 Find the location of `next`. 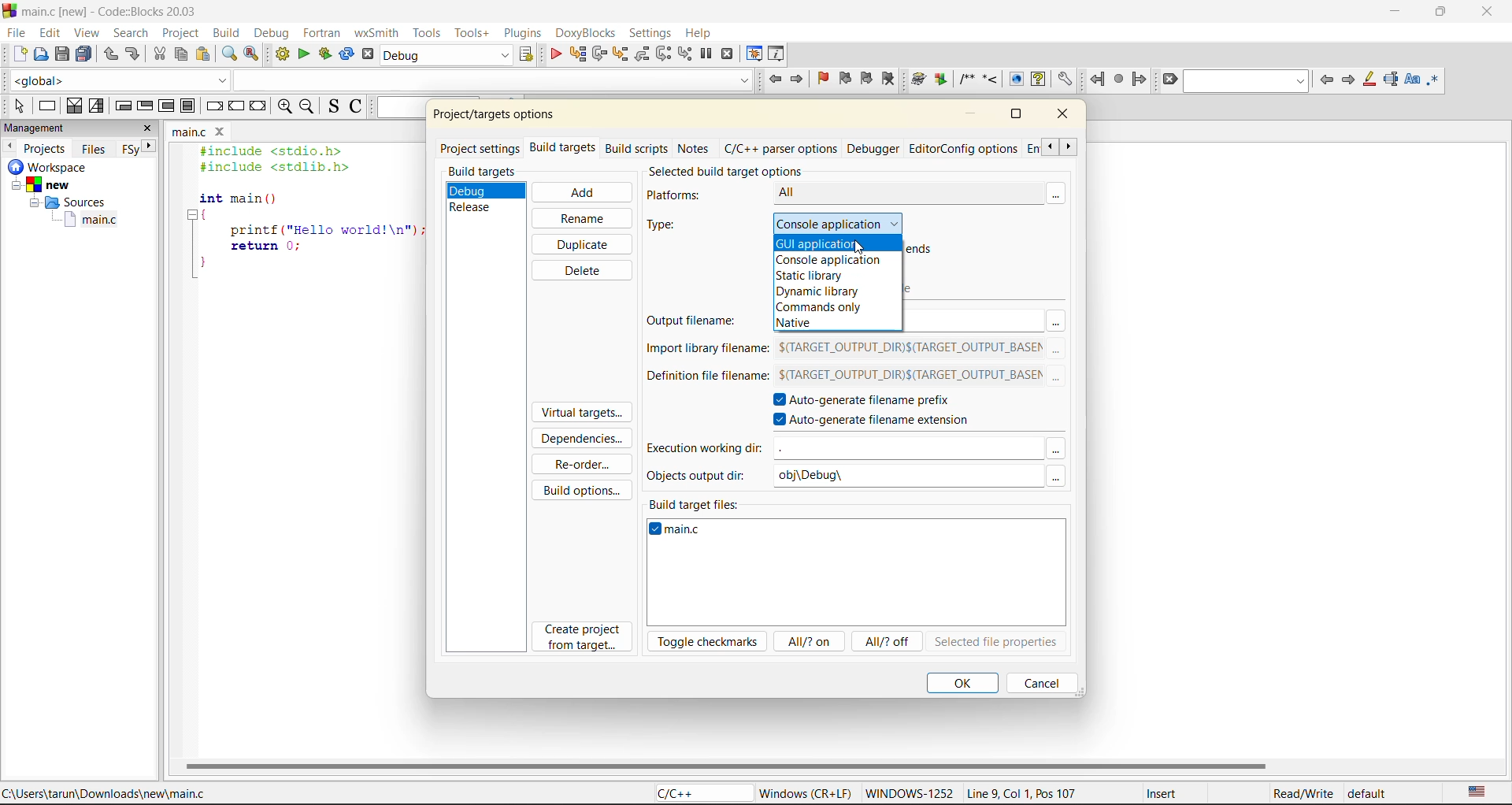

next is located at coordinates (1347, 82).